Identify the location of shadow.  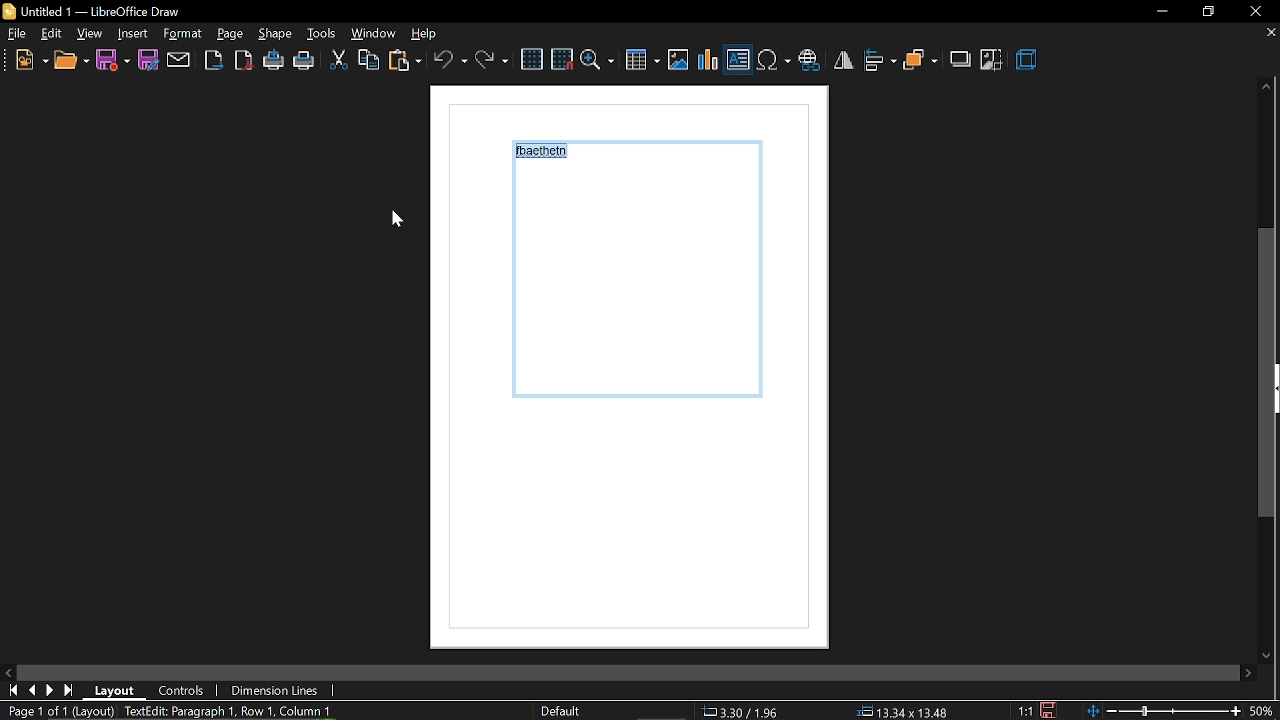
(961, 60).